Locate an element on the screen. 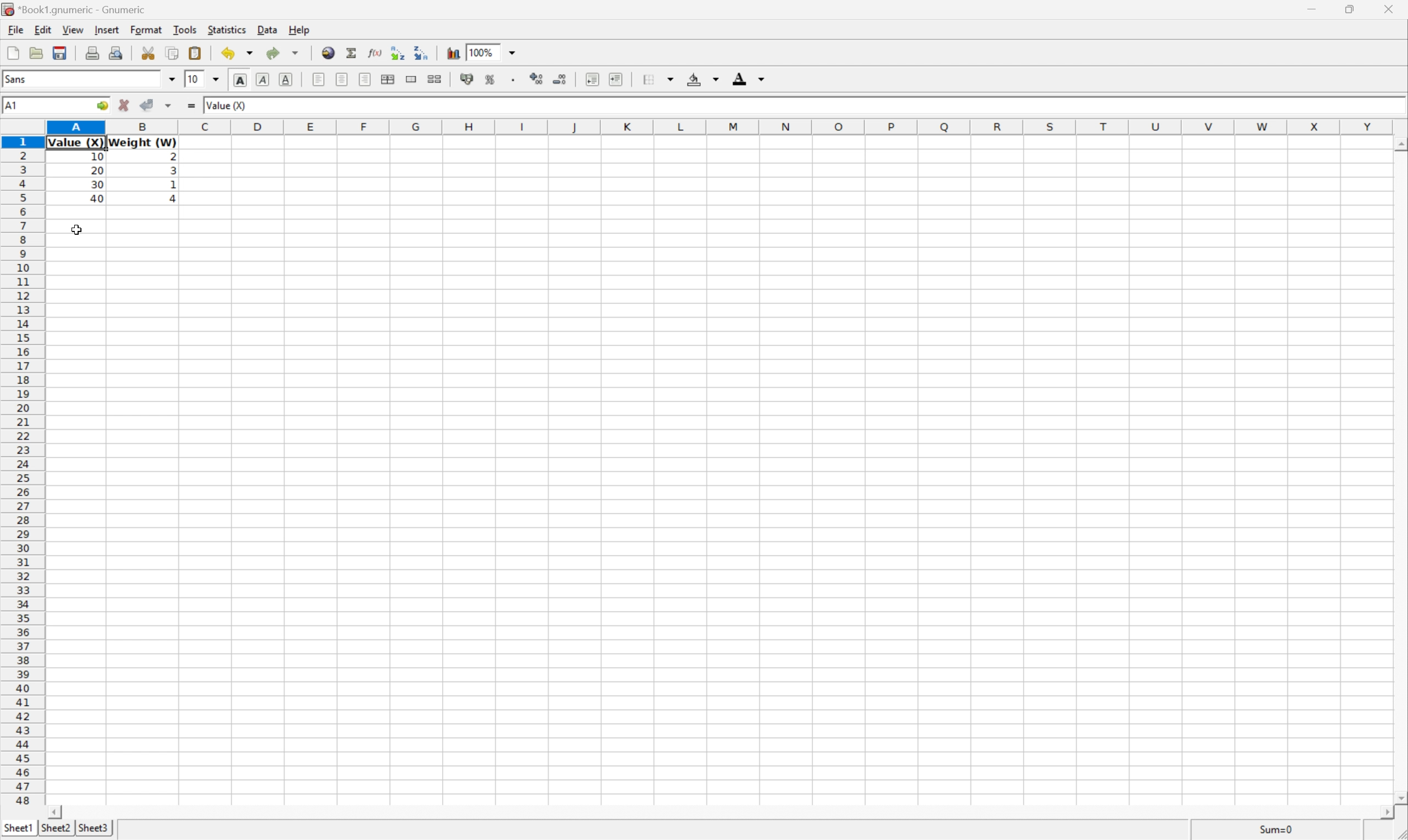 This screenshot has height=840, width=1408. Insert is located at coordinates (108, 30).